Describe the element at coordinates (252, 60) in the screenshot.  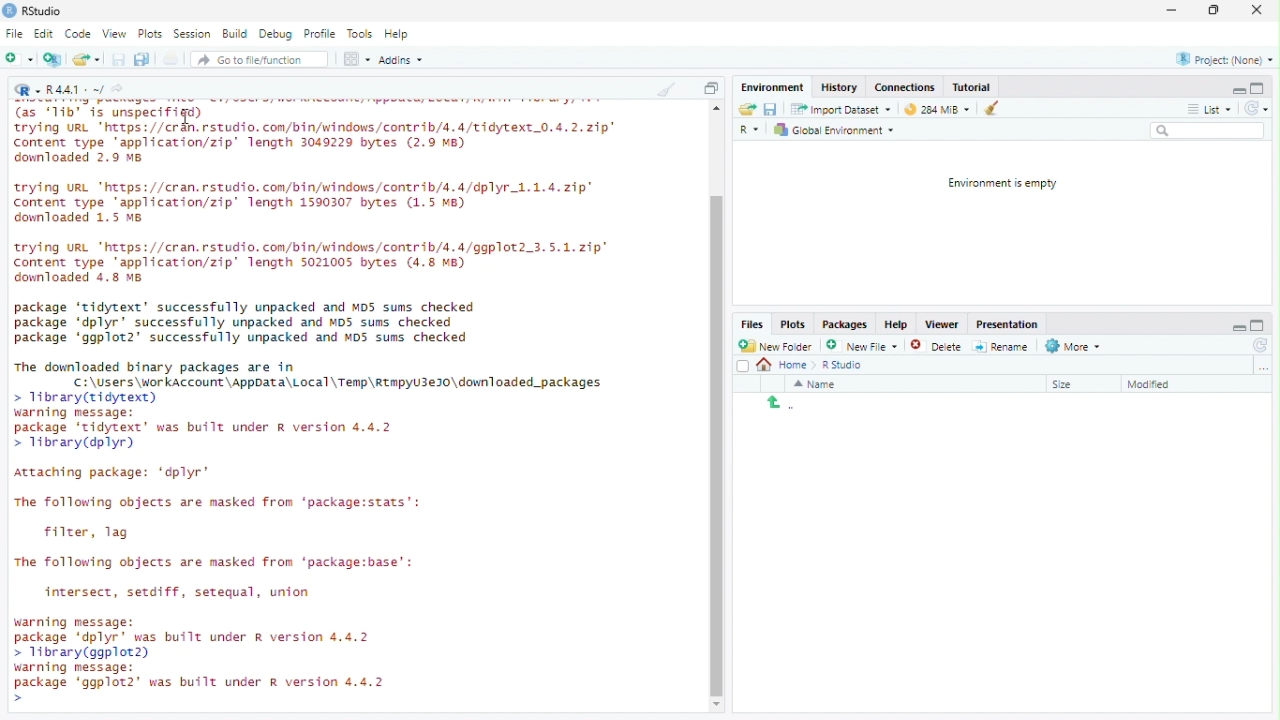
I see `Go to file/function` at that location.